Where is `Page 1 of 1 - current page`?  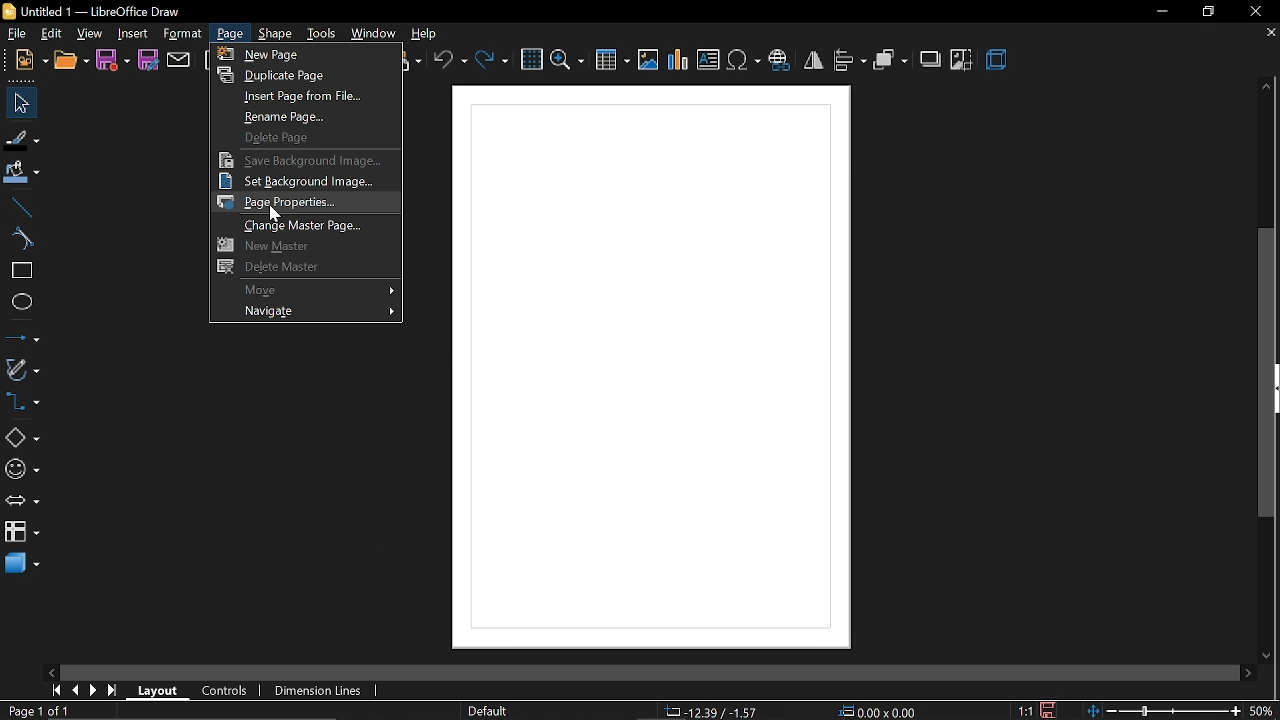 Page 1 of 1 - current page is located at coordinates (40, 711).